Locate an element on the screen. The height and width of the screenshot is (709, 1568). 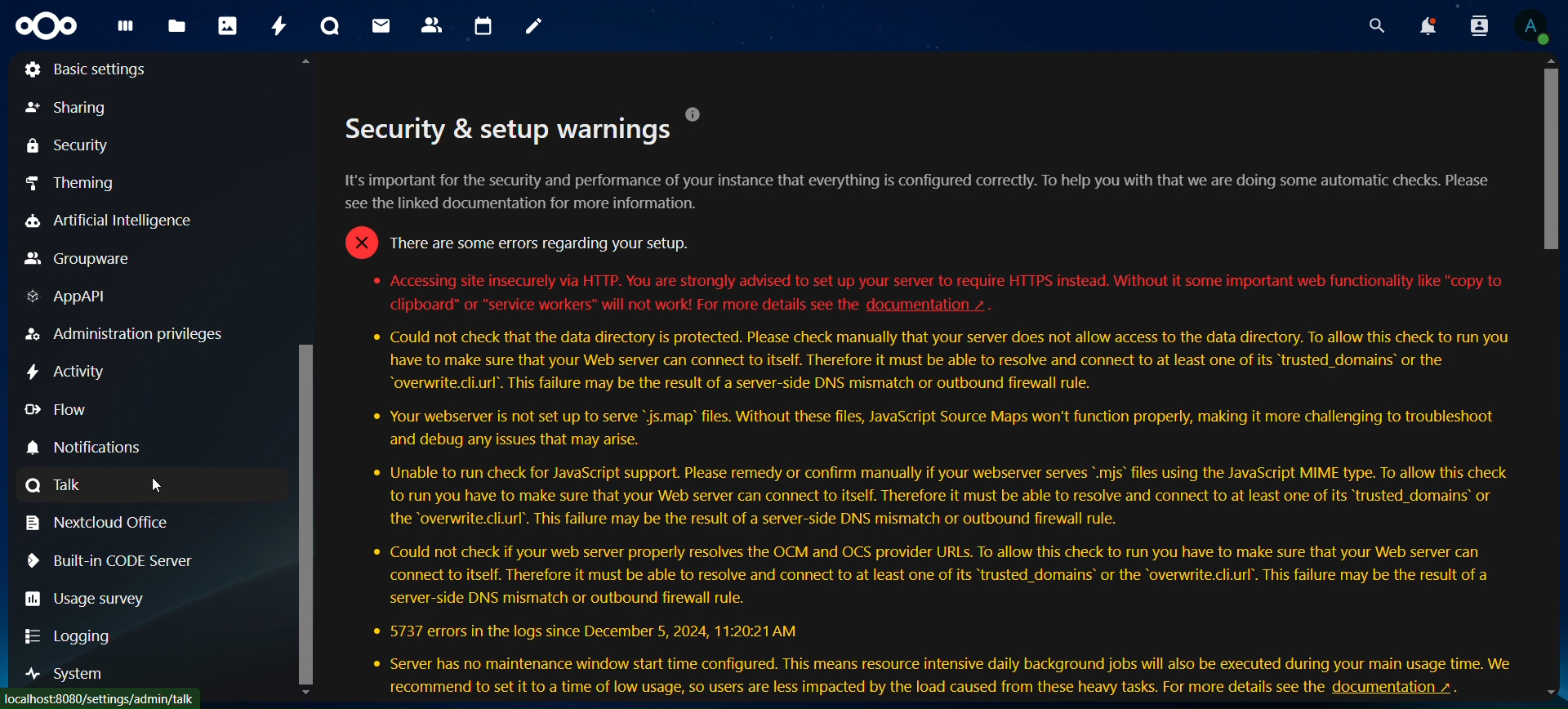
help is located at coordinates (702, 113).